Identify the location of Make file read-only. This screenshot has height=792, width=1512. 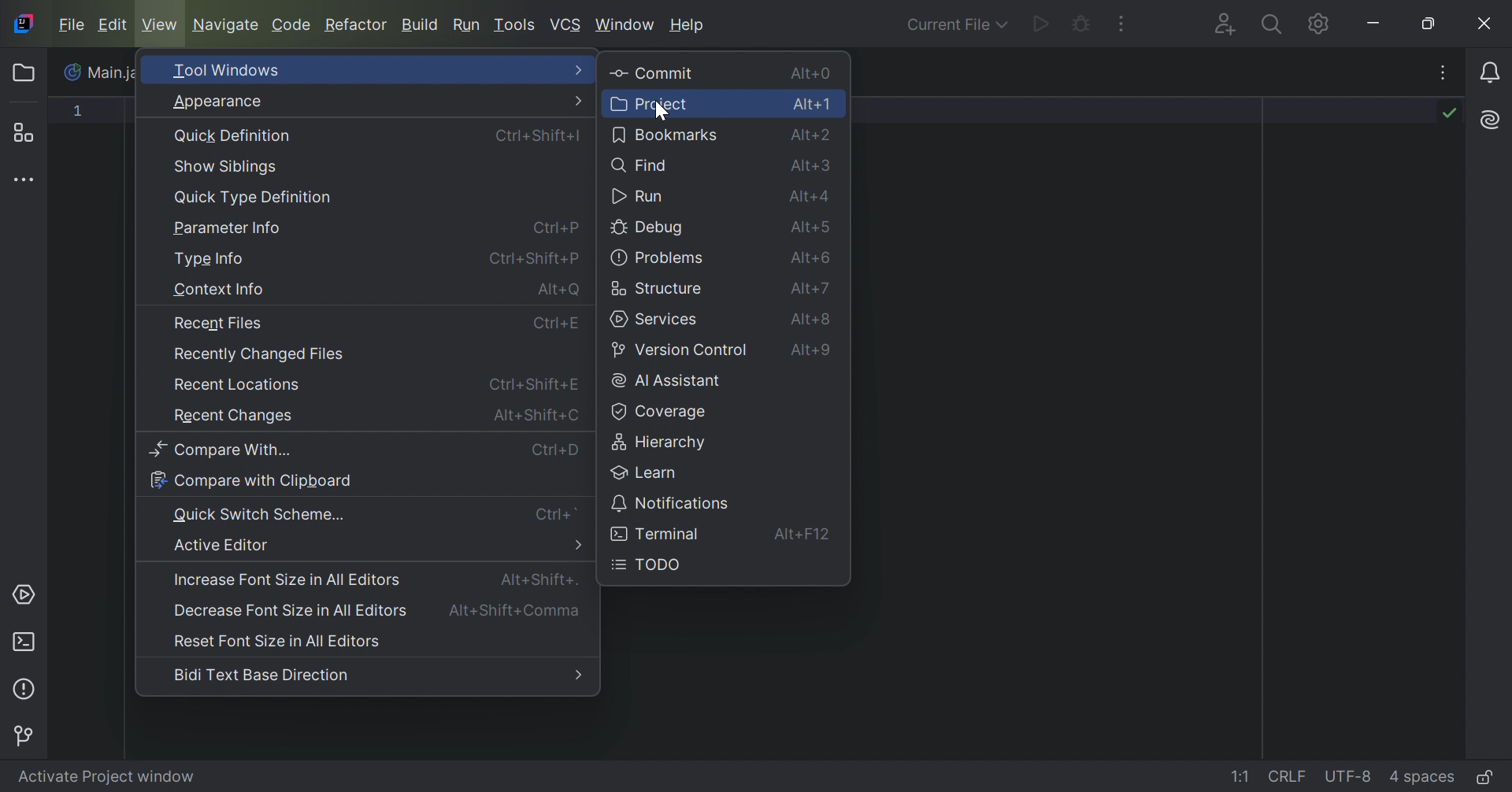
(1484, 779).